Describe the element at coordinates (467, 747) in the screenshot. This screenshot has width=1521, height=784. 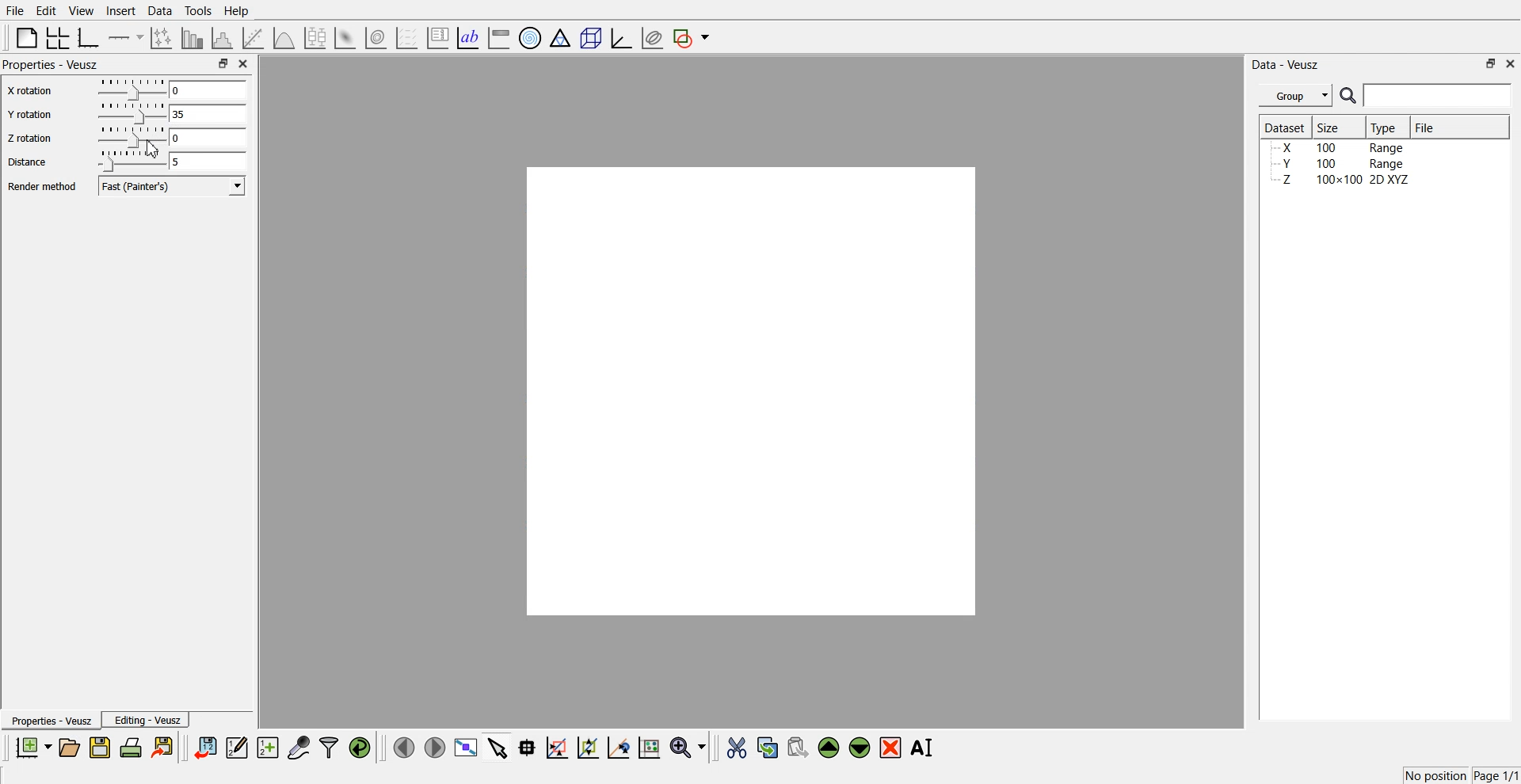
I see `View plot full screen` at that location.